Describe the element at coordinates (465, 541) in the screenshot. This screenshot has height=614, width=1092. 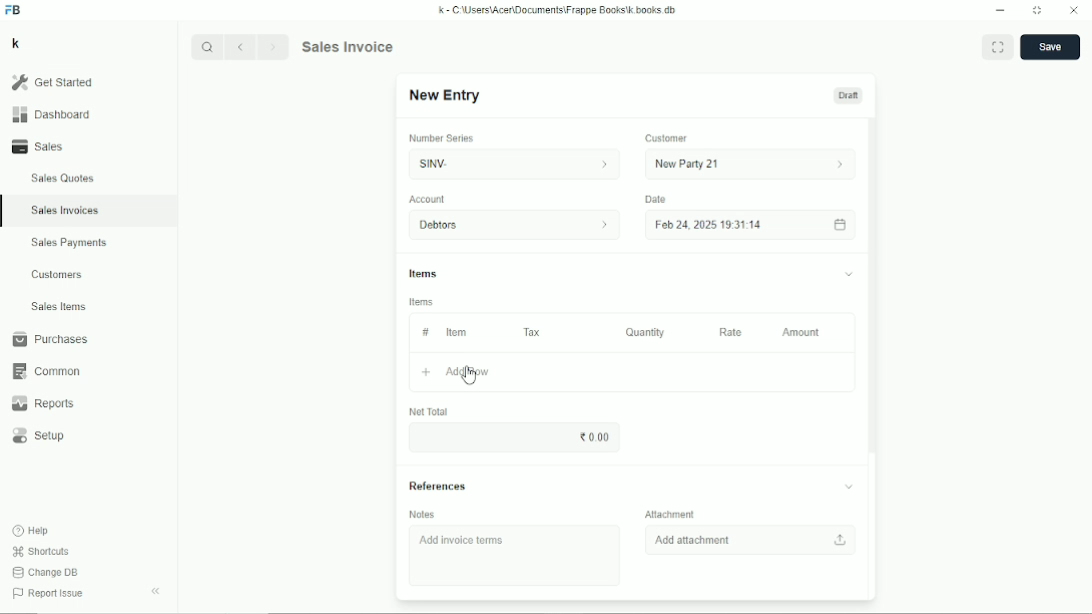
I see `Add invoice items` at that location.